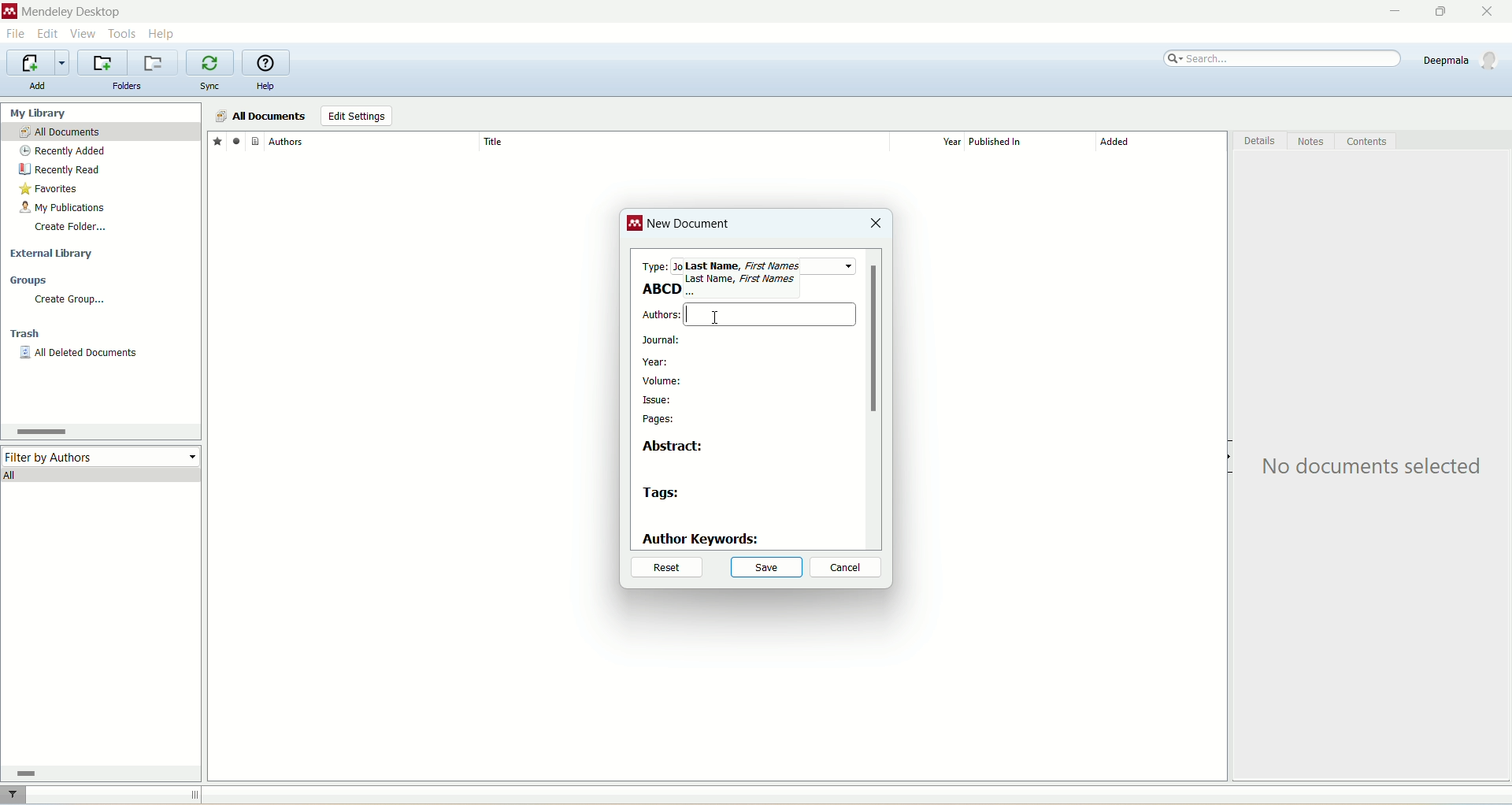 The image size is (1512, 805). Describe the element at coordinates (687, 316) in the screenshot. I see `cursor` at that location.